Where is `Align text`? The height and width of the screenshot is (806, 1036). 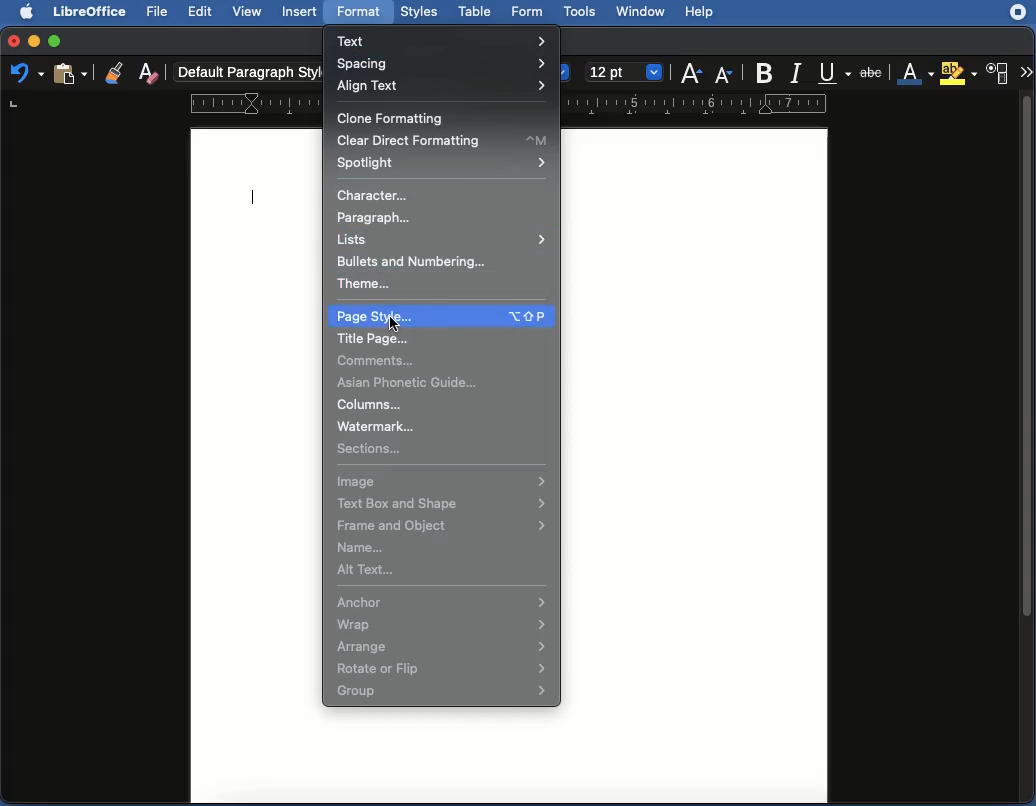 Align text is located at coordinates (442, 85).